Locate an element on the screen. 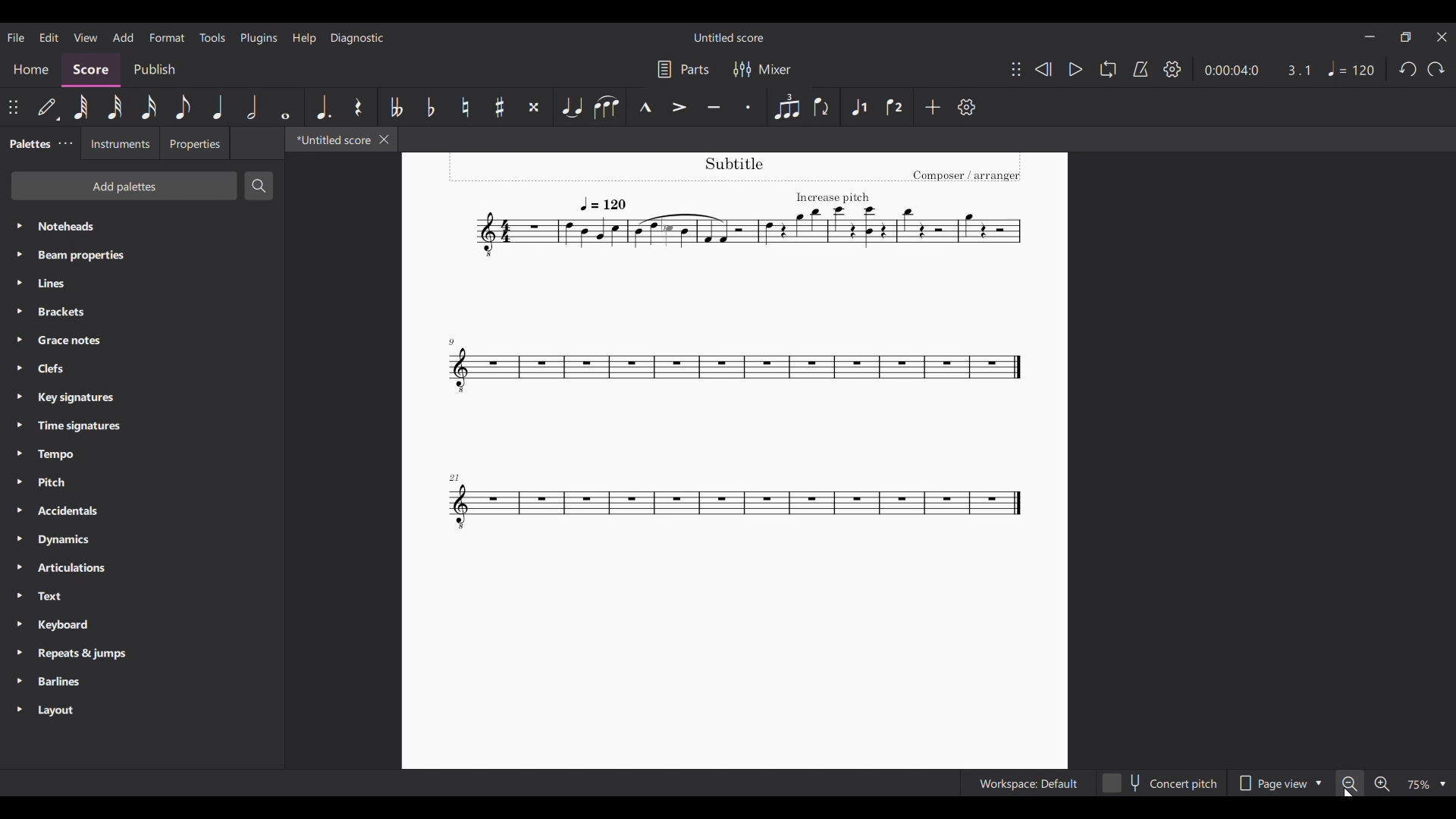  Redo is located at coordinates (1436, 70).